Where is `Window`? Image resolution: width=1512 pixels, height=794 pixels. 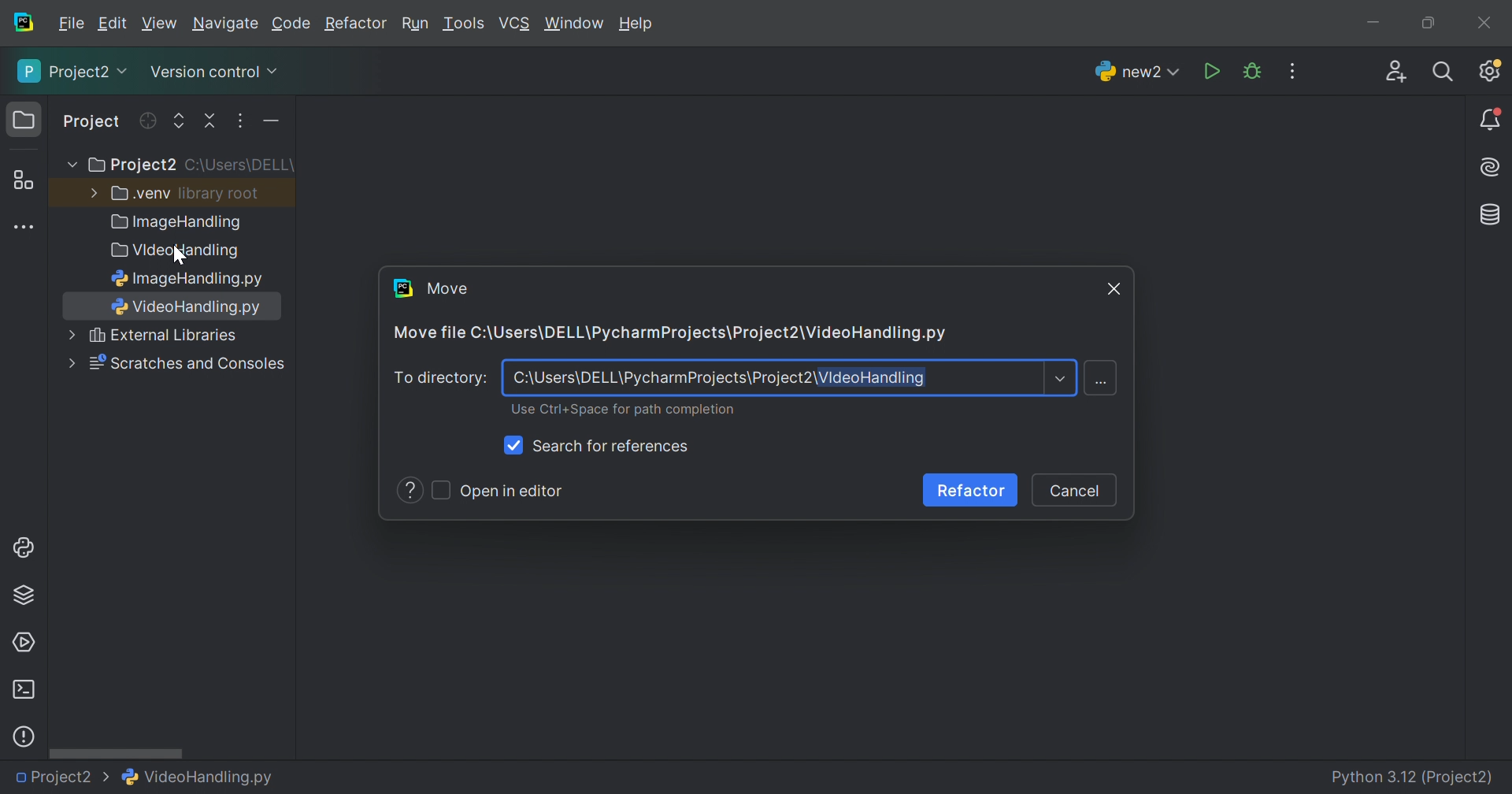 Window is located at coordinates (575, 25).